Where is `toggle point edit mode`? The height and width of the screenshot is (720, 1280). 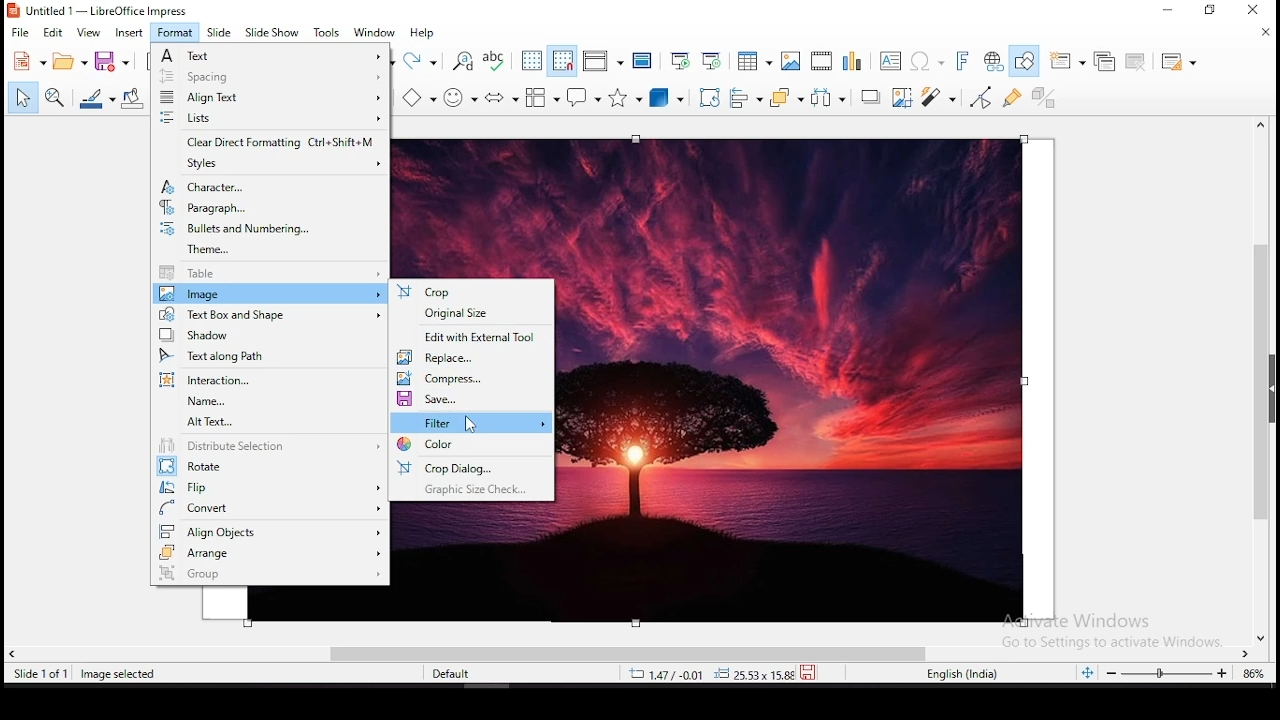 toggle point edit mode is located at coordinates (980, 97).